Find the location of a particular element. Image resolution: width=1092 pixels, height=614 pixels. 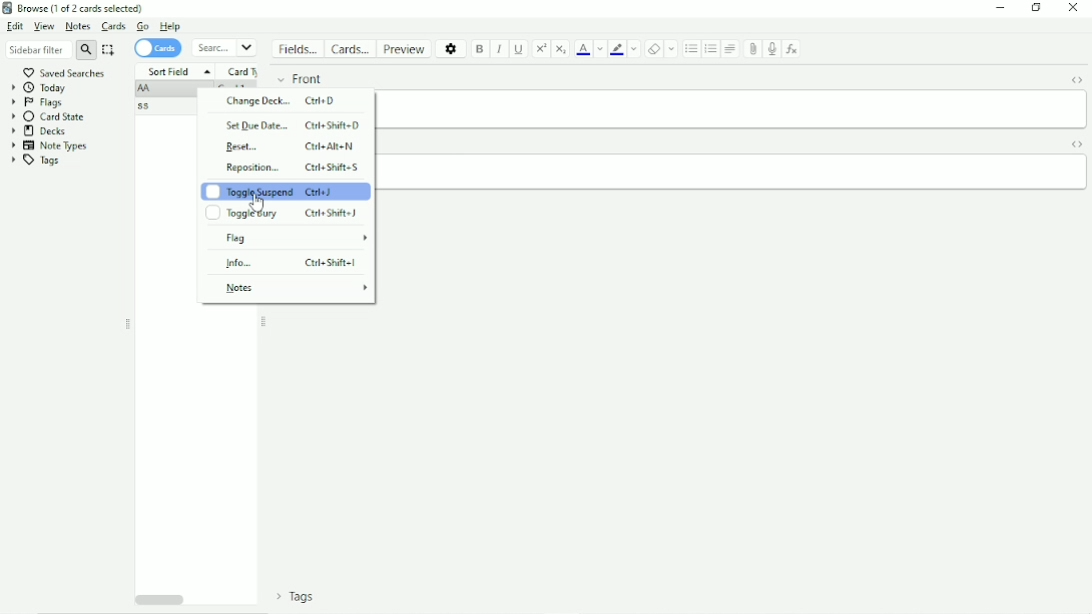

Saved searches is located at coordinates (60, 71).